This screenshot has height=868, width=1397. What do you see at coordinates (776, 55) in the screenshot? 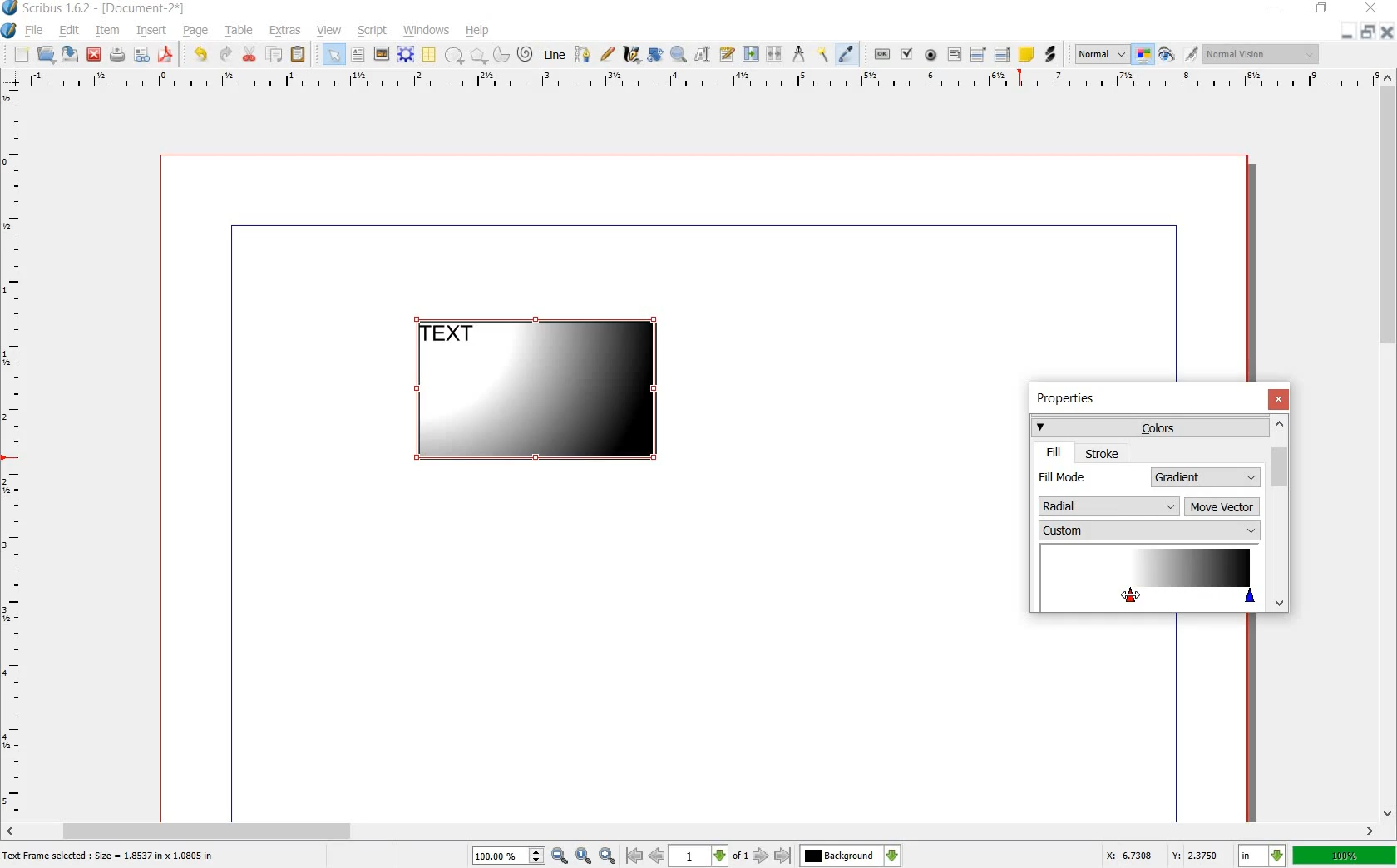
I see `unlink text frame` at bounding box center [776, 55].